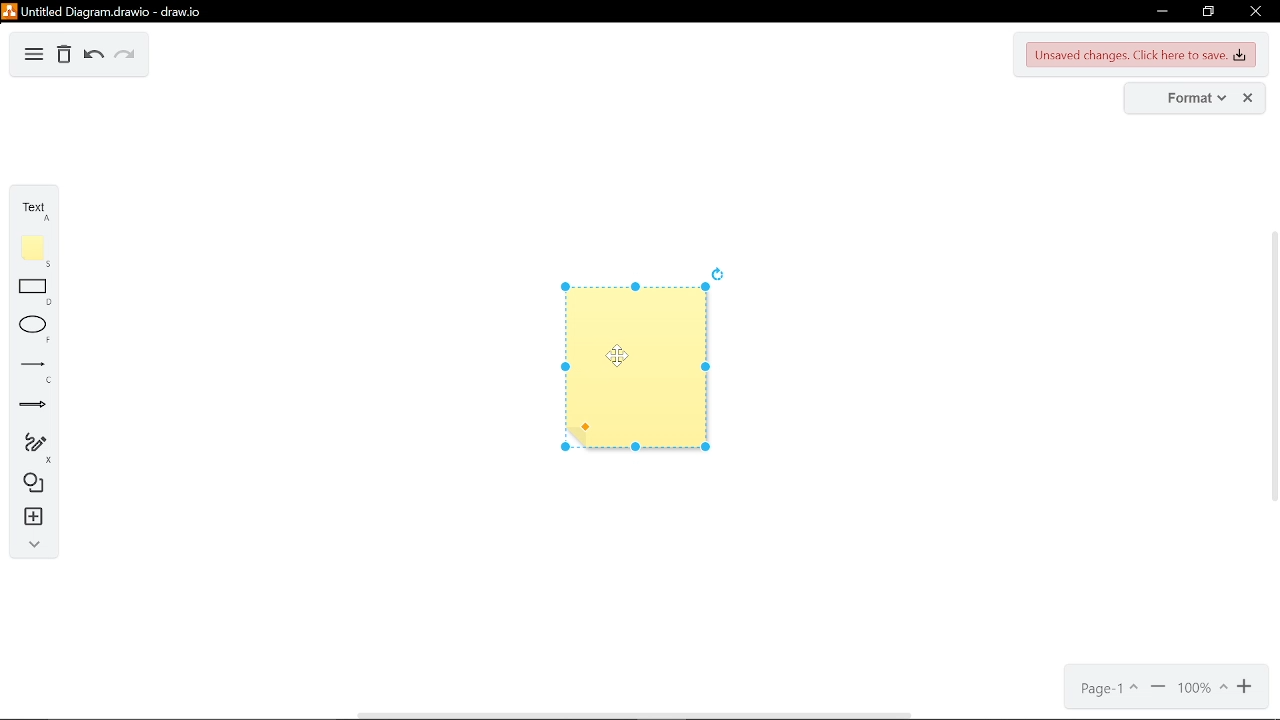 The width and height of the screenshot is (1280, 720). I want to click on insert, so click(29, 517).